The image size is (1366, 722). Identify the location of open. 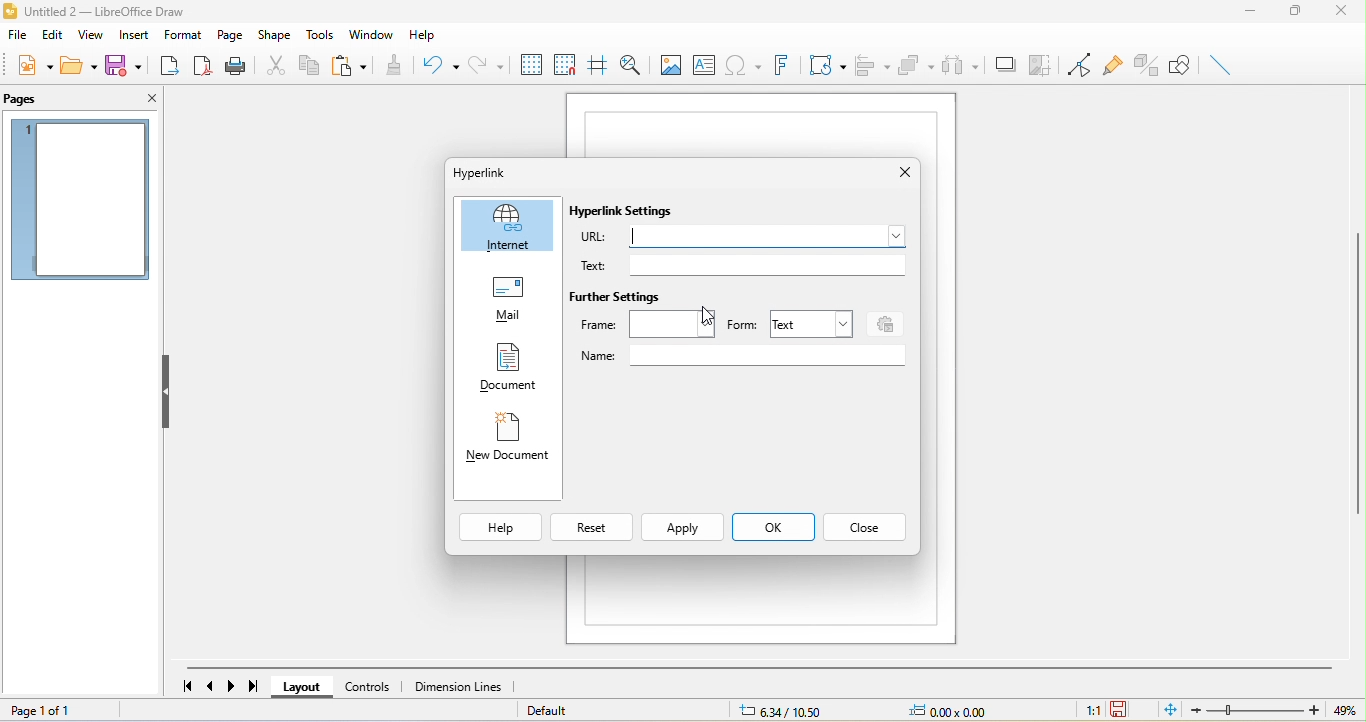
(77, 69).